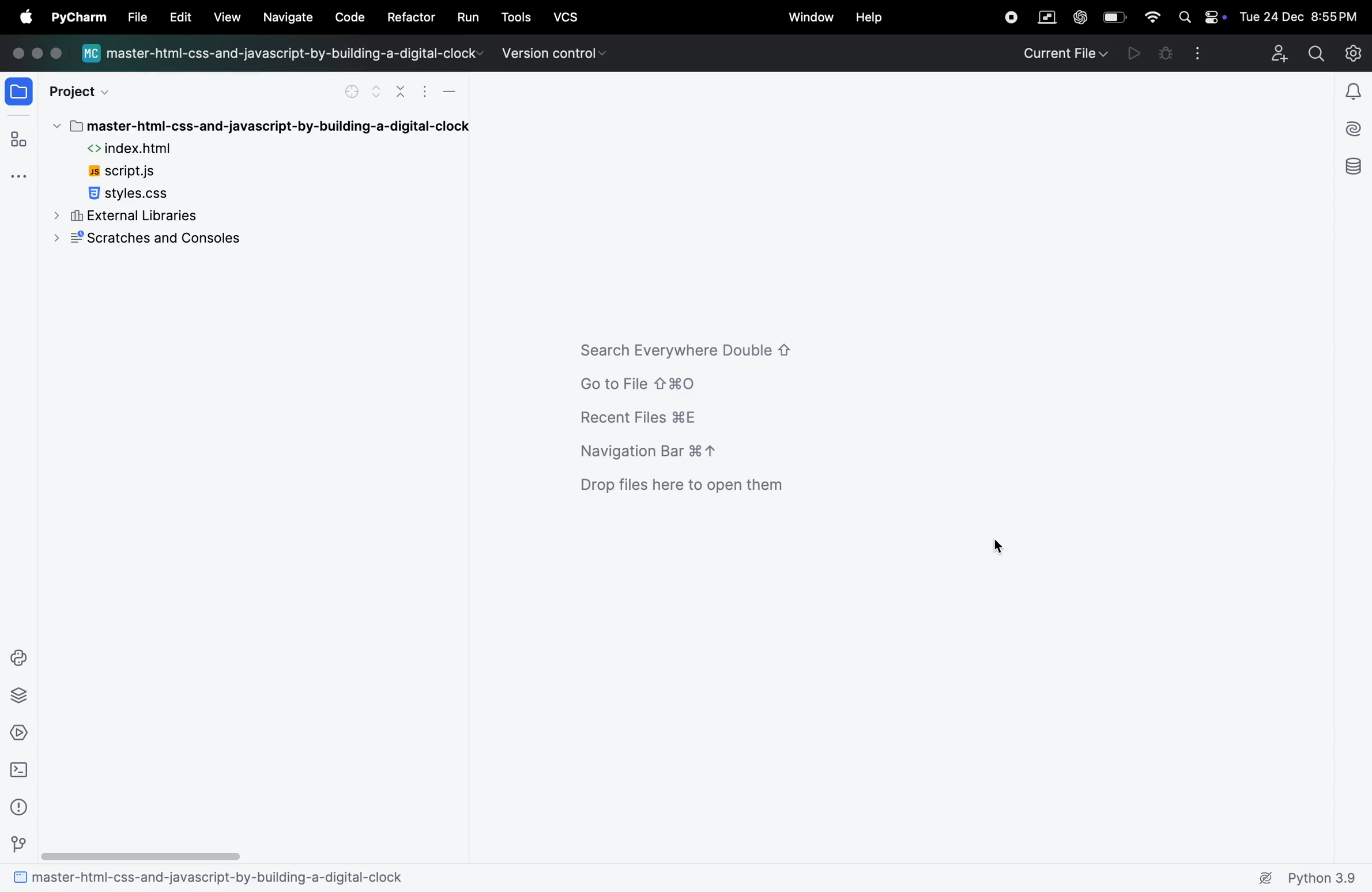  Describe the element at coordinates (1354, 88) in the screenshot. I see `alert` at that location.